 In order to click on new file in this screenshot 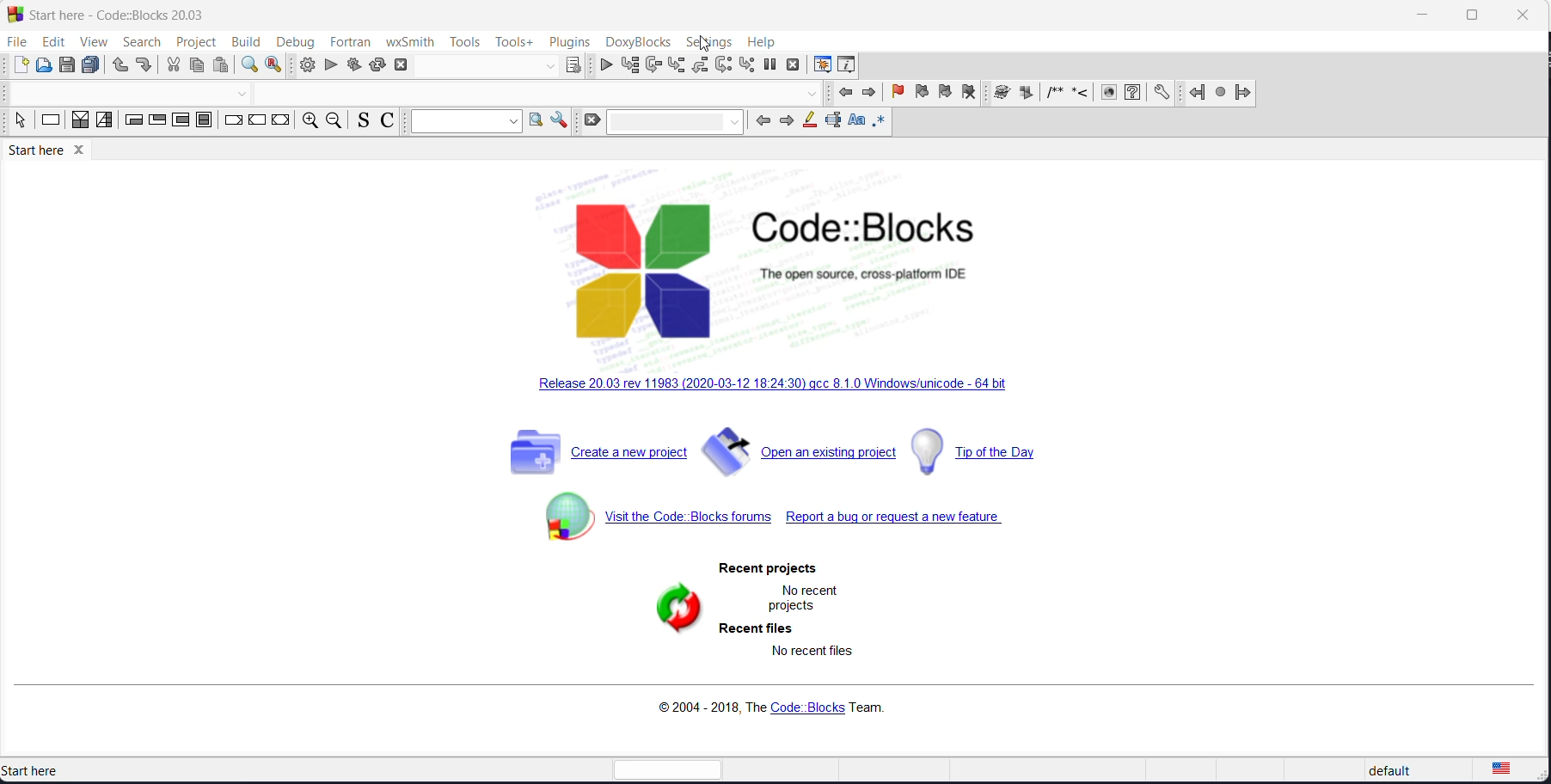, I will do `click(20, 65)`.